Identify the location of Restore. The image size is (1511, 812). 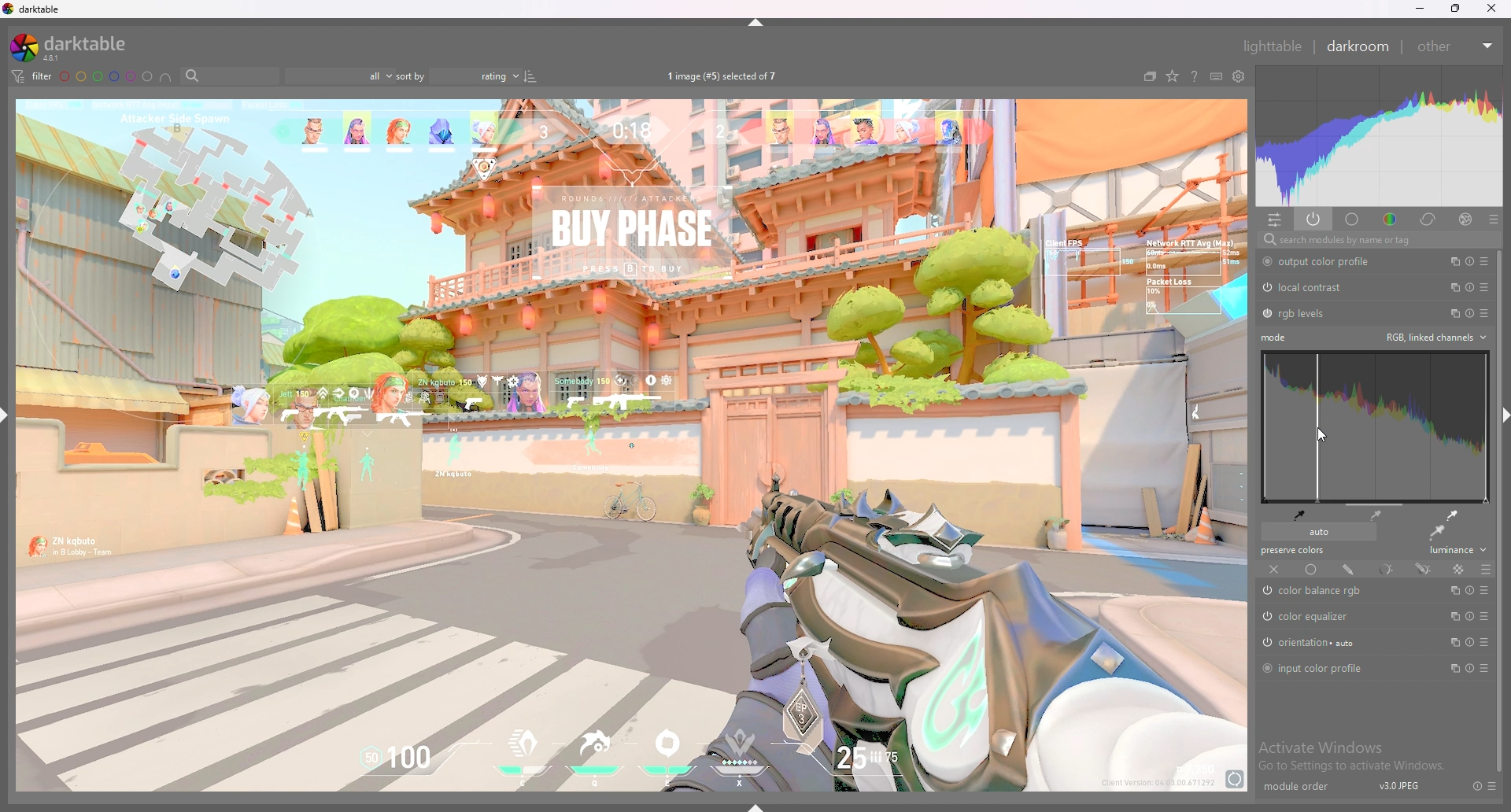
(1454, 12).